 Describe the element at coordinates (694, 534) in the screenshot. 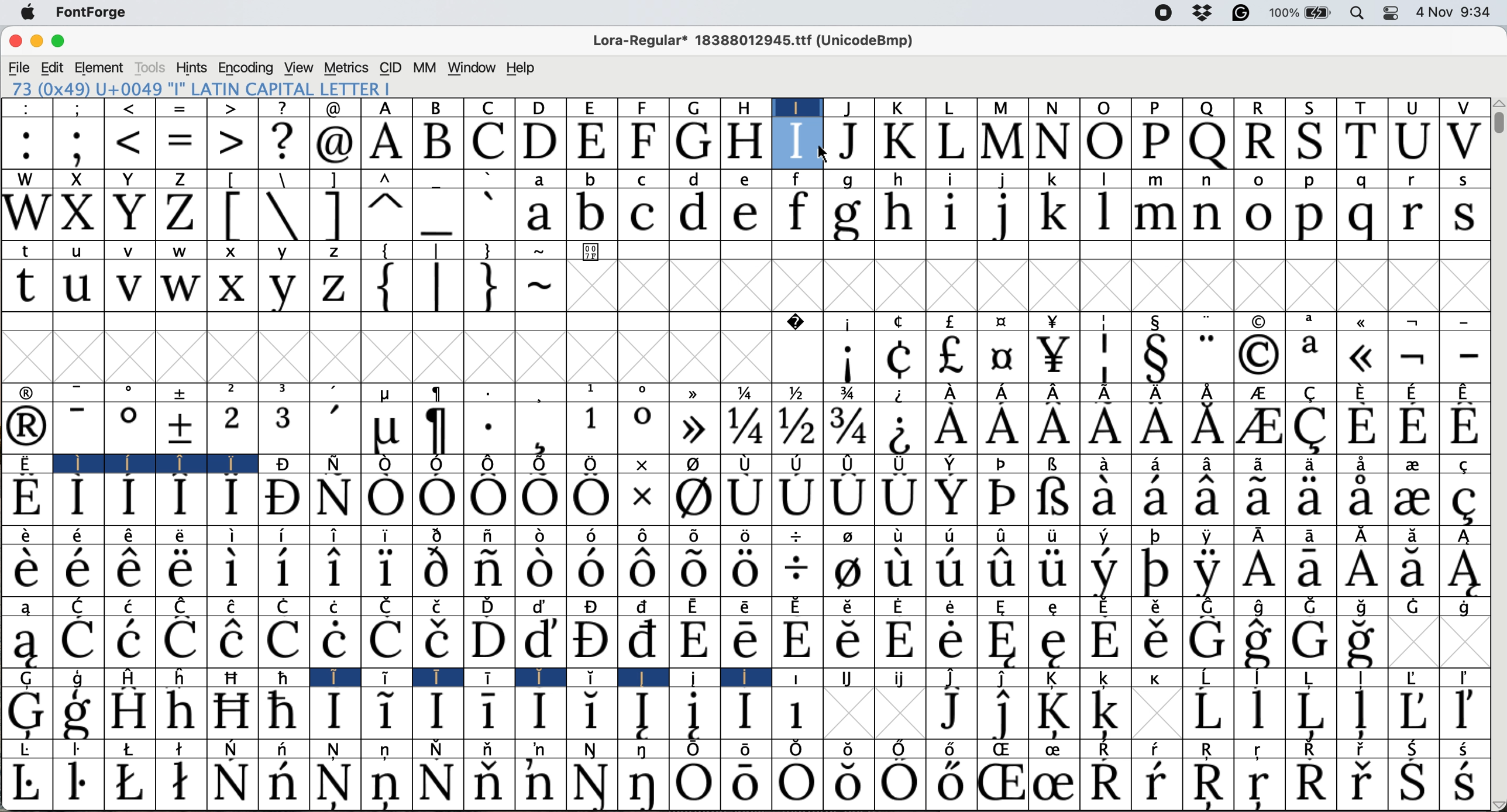

I see `Symbol` at that location.